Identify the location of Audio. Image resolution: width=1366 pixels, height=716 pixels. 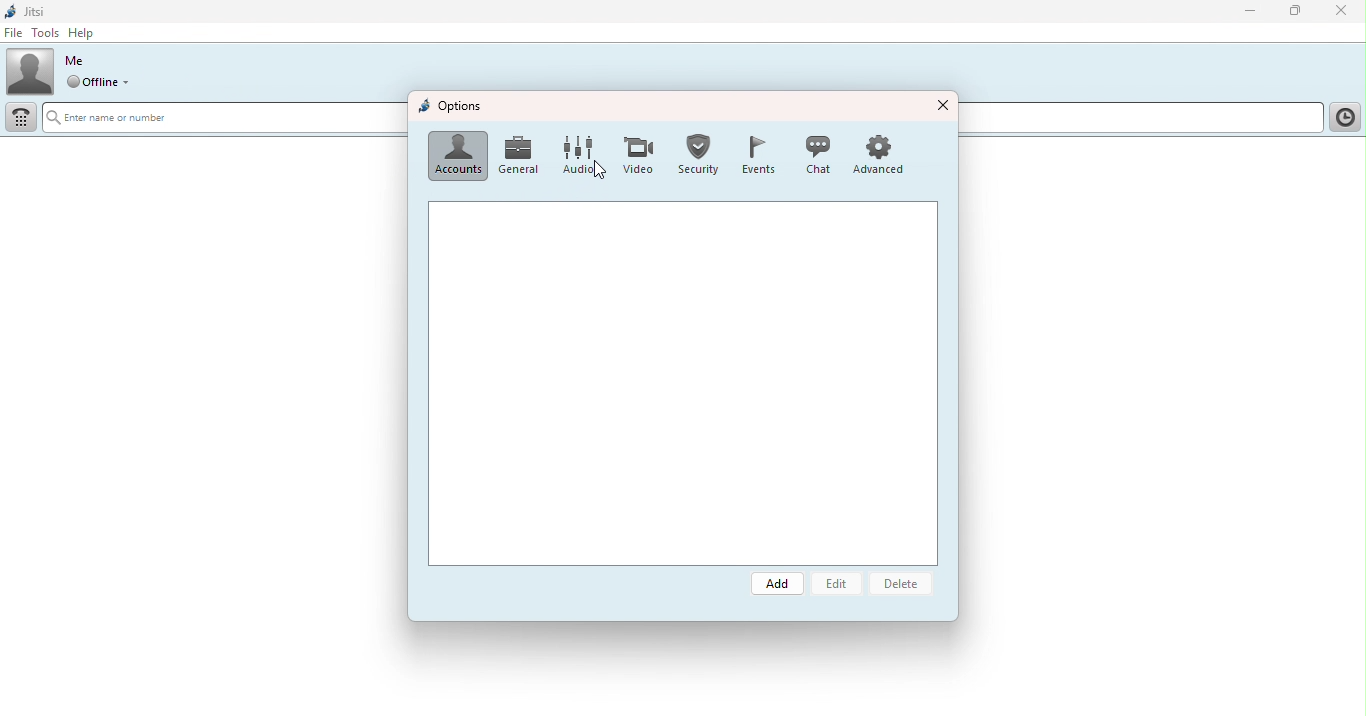
(574, 156).